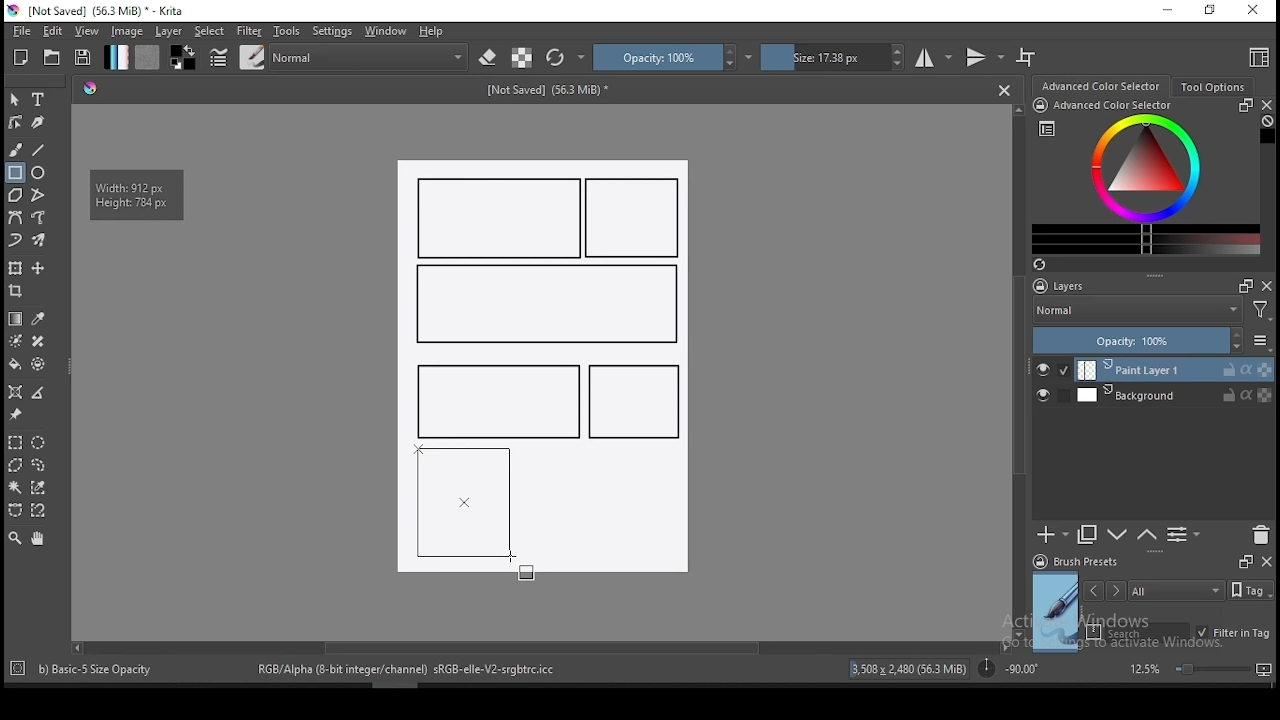 This screenshot has height=720, width=1280. What do you see at coordinates (15, 511) in the screenshot?
I see `bezier curve selection tool` at bounding box center [15, 511].